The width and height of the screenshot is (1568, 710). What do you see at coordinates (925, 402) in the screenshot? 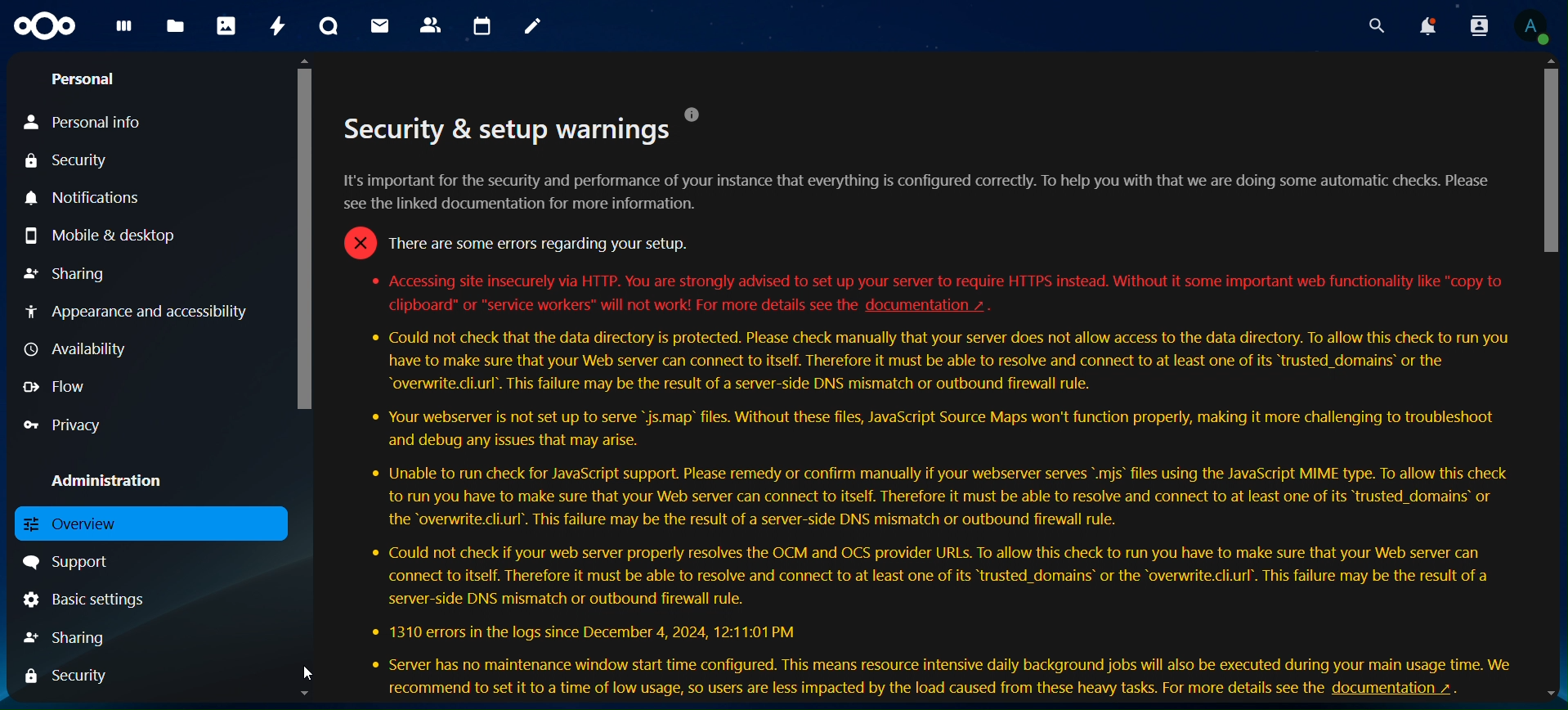
I see `security & setup warnings description` at bounding box center [925, 402].